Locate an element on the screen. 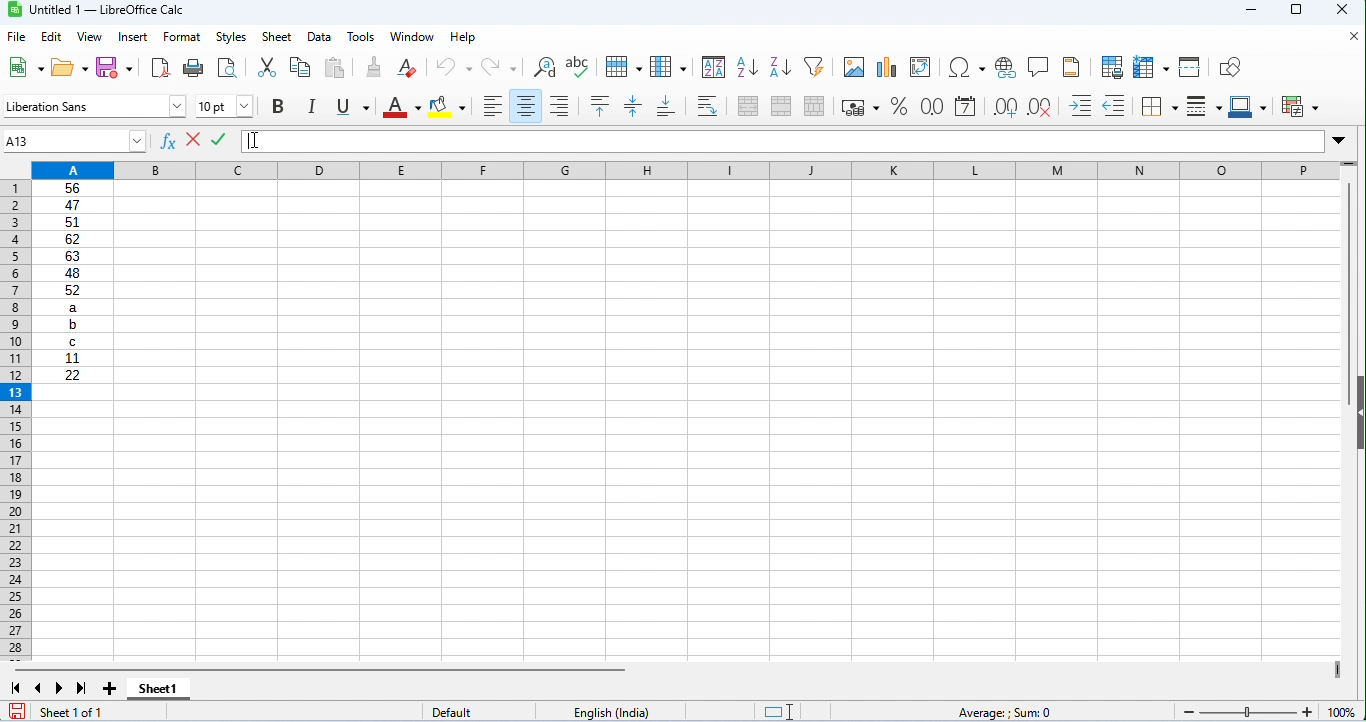 Image resolution: width=1366 pixels, height=722 pixels. help is located at coordinates (462, 38).